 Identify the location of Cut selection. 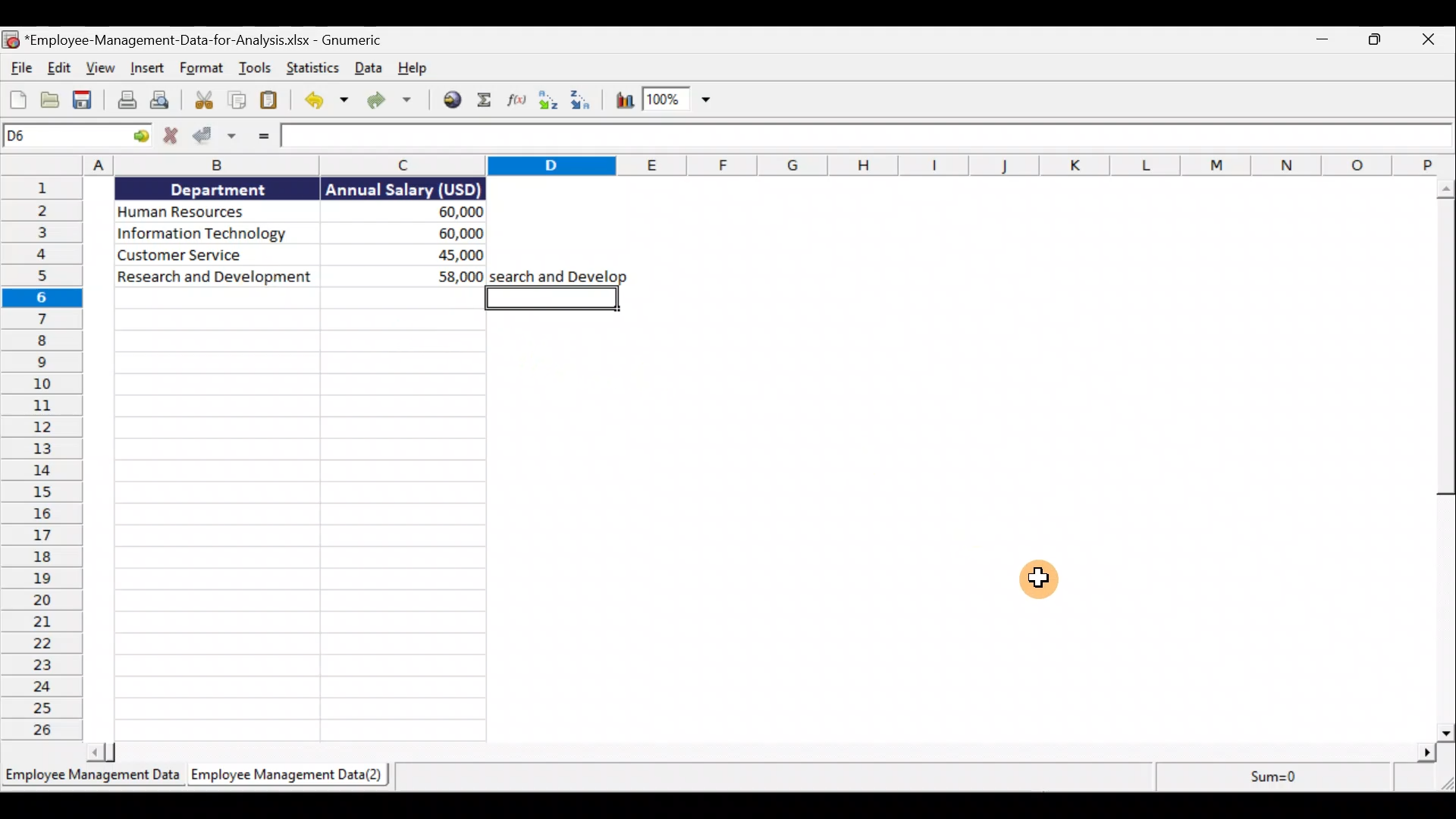
(202, 102).